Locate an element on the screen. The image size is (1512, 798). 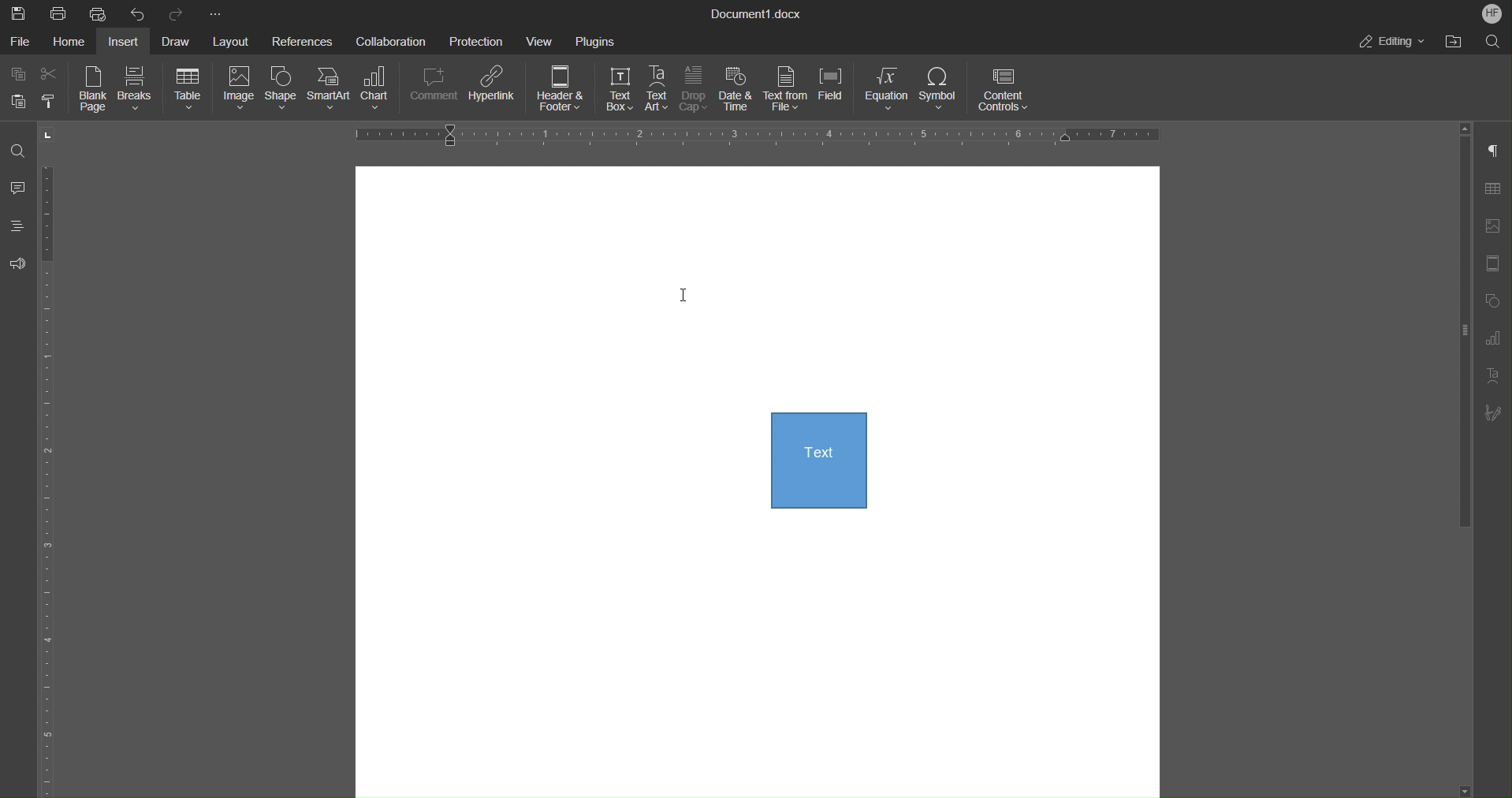
Document1.docx is located at coordinates (758, 15).